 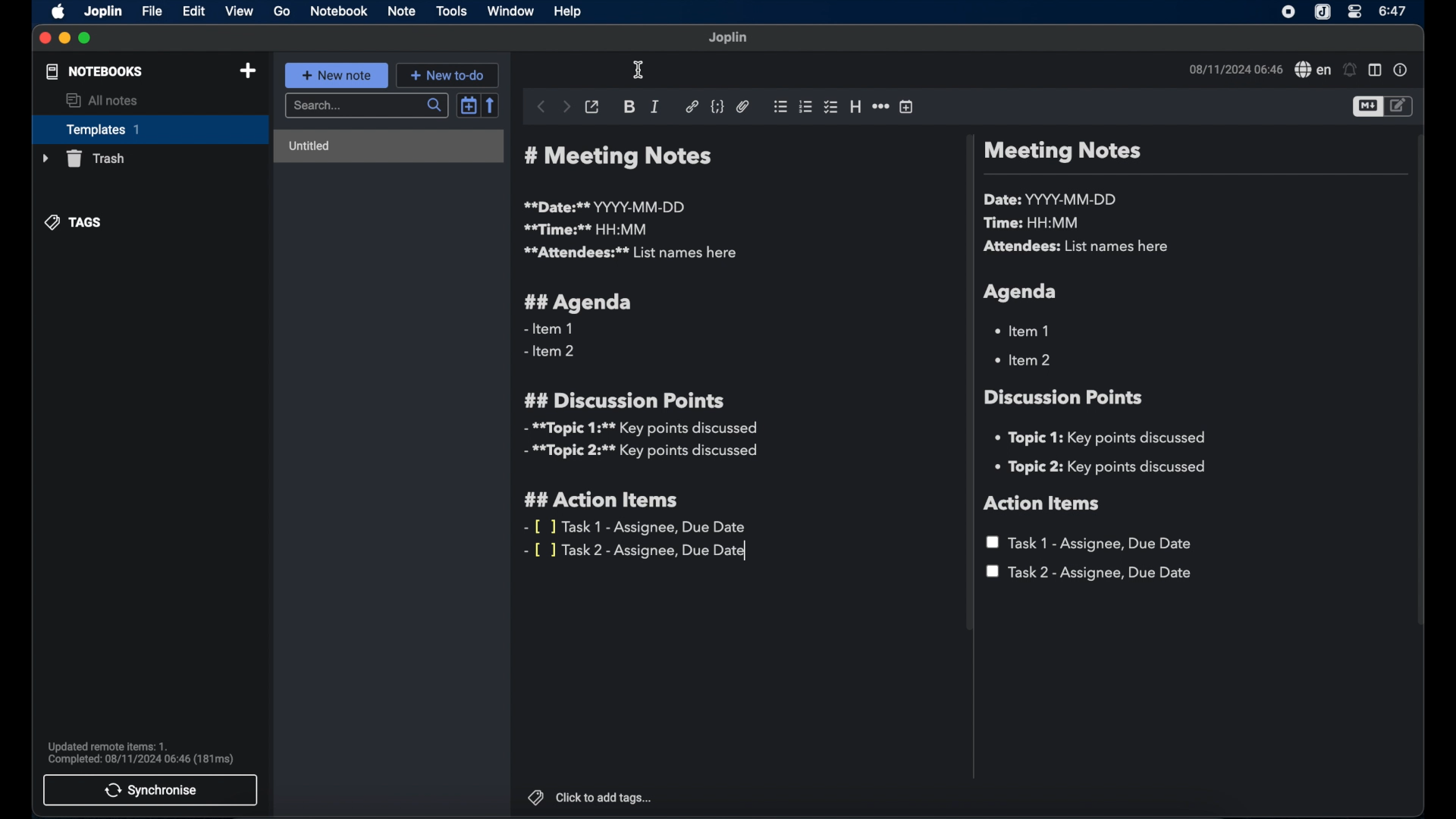 What do you see at coordinates (1043, 504) in the screenshot?
I see `action items` at bounding box center [1043, 504].